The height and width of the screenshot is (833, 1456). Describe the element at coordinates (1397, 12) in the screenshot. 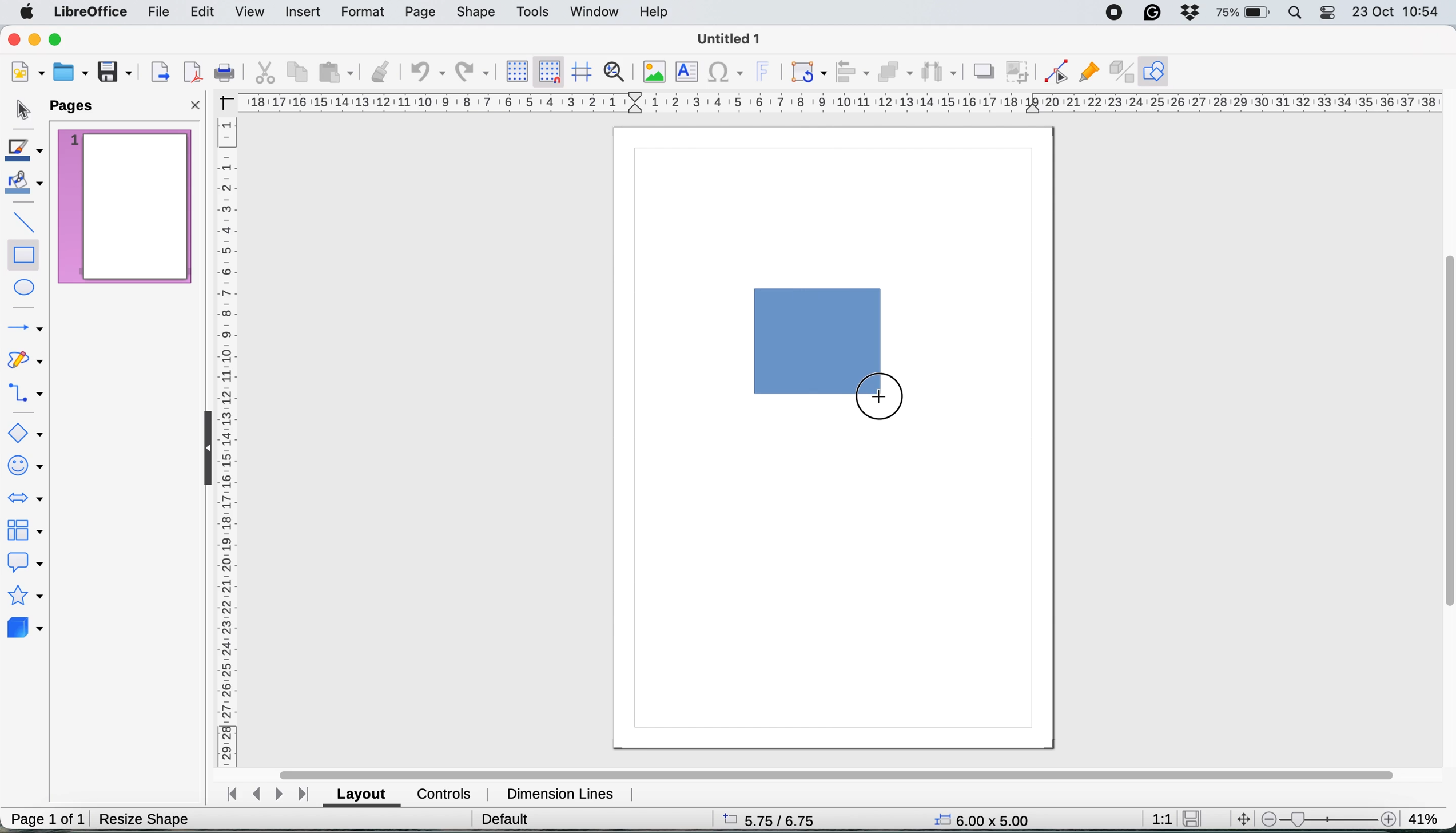

I see `23 oct 10:54` at that location.